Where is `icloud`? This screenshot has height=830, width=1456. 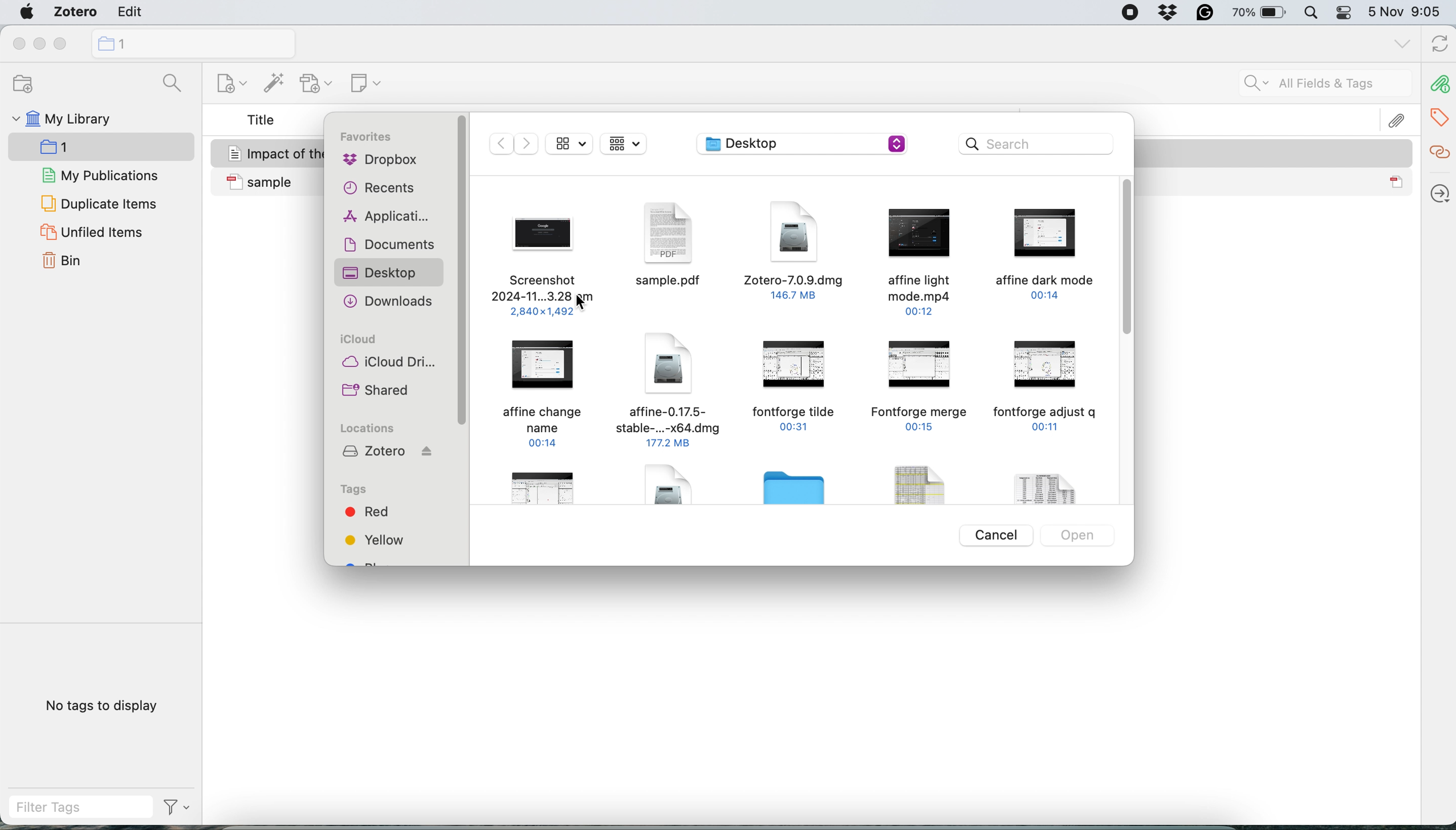
icloud is located at coordinates (359, 341).